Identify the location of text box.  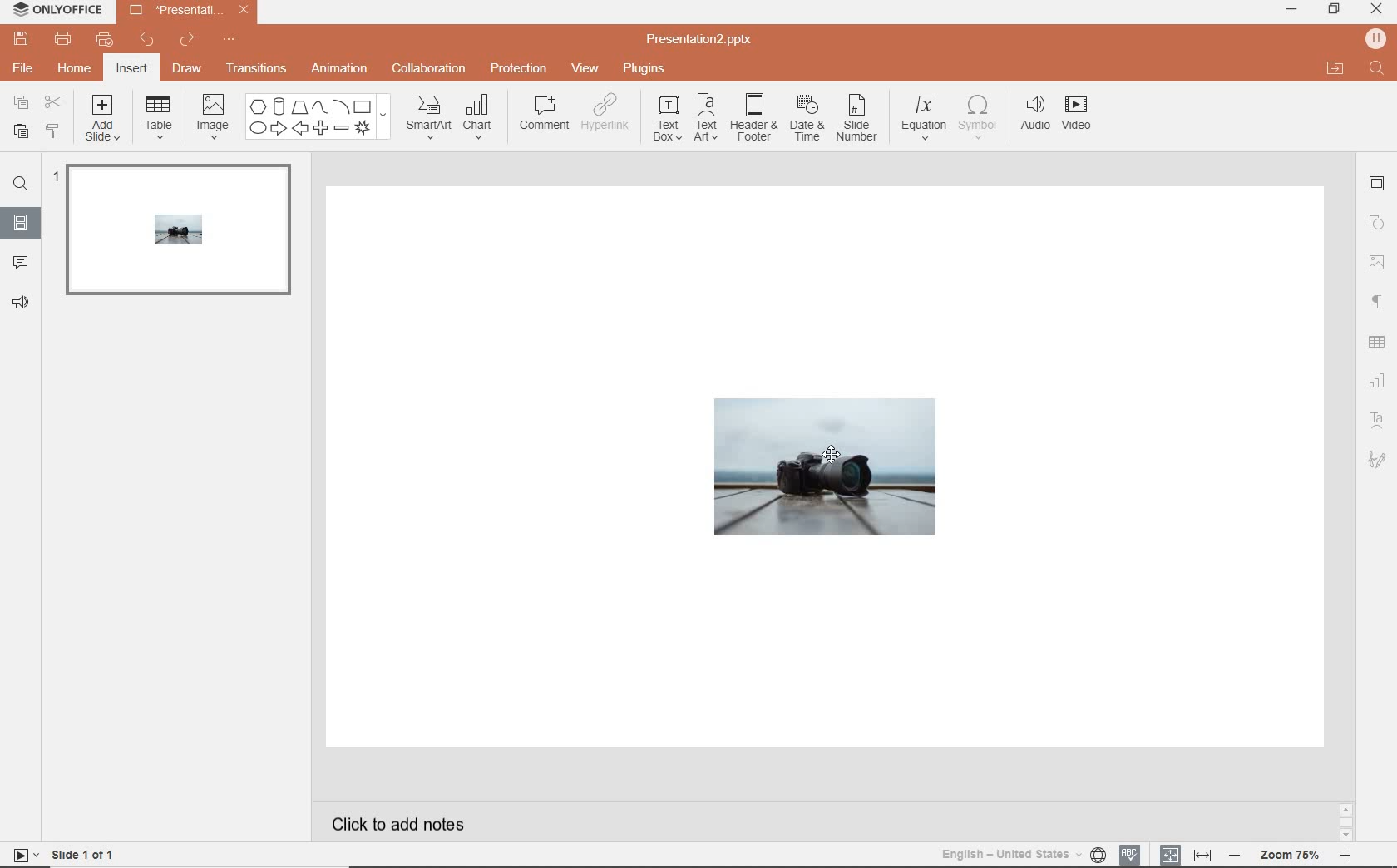
(667, 121).